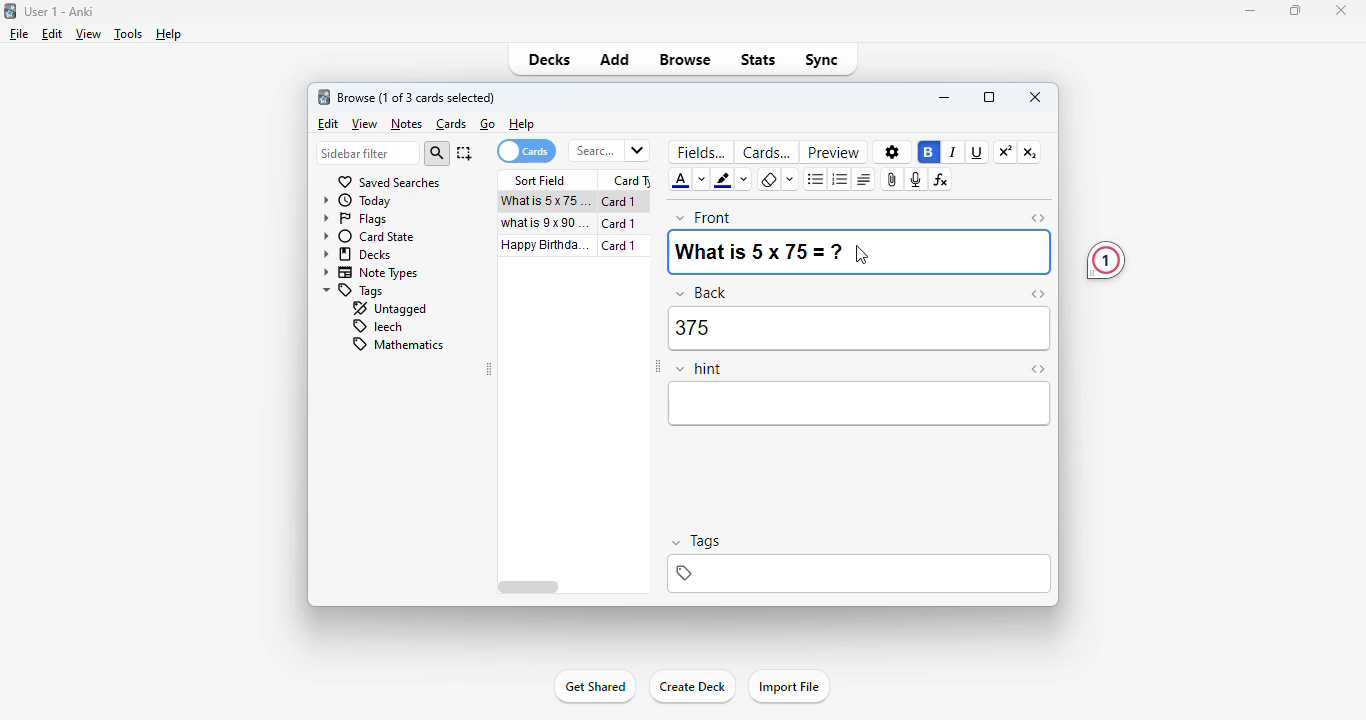  Describe the element at coordinates (354, 292) in the screenshot. I see `tags` at that location.